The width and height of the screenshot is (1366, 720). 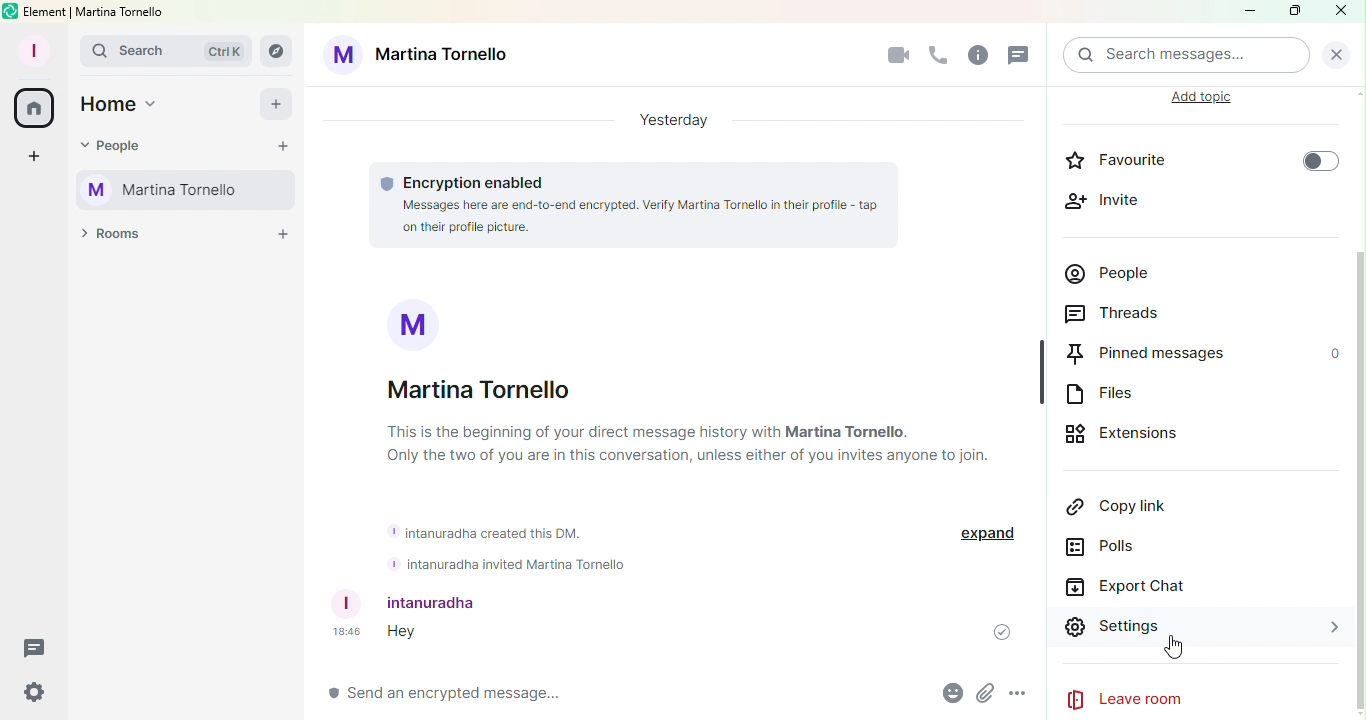 What do you see at coordinates (682, 119) in the screenshot?
I see `Yesterday` at bounding box center [682, 119].